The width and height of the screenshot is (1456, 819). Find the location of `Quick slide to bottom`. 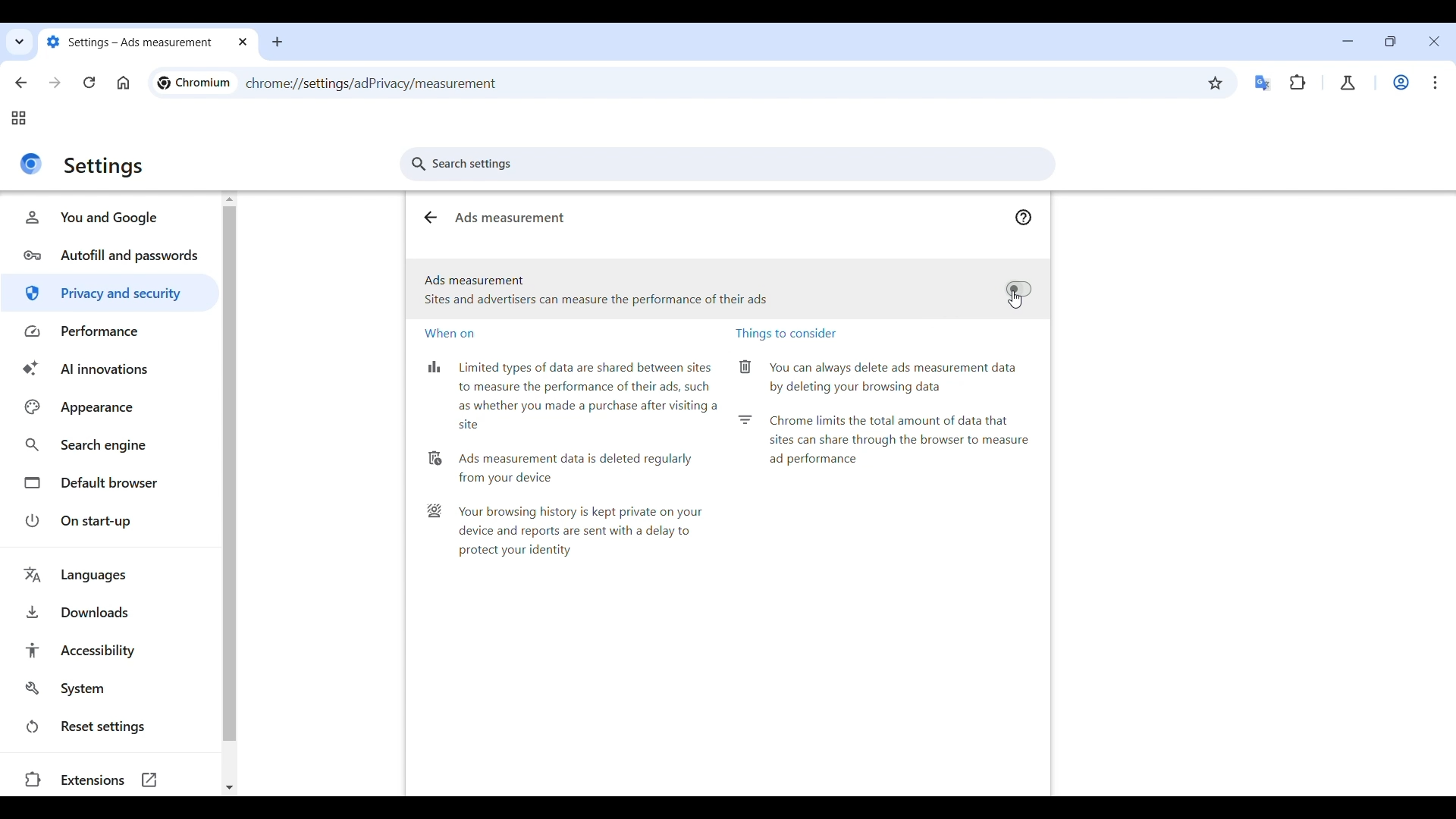

Quick slide to bottom is located at coordinates (229, 788).